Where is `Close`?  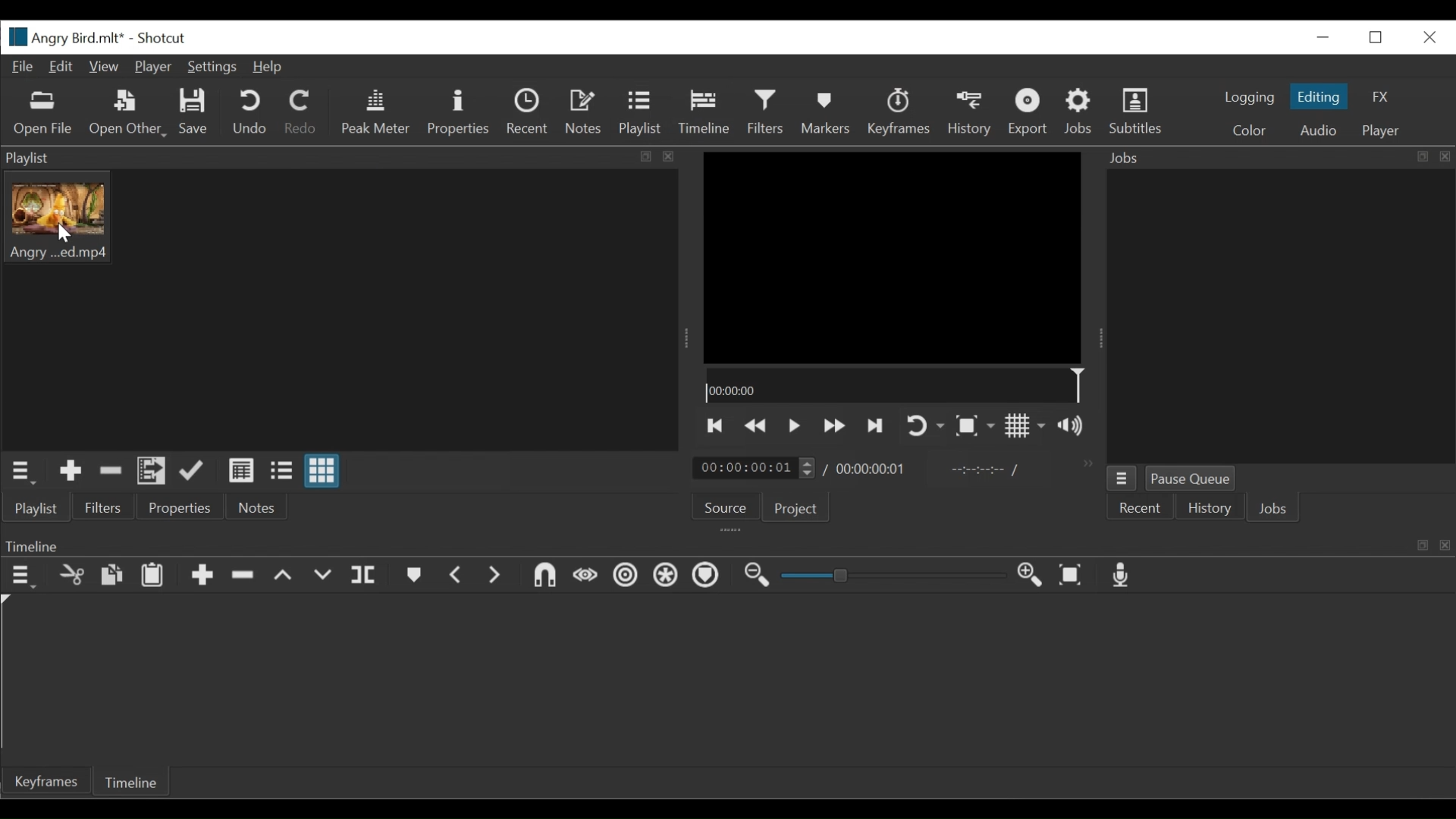
Close is located at coordinates (1428, 38).